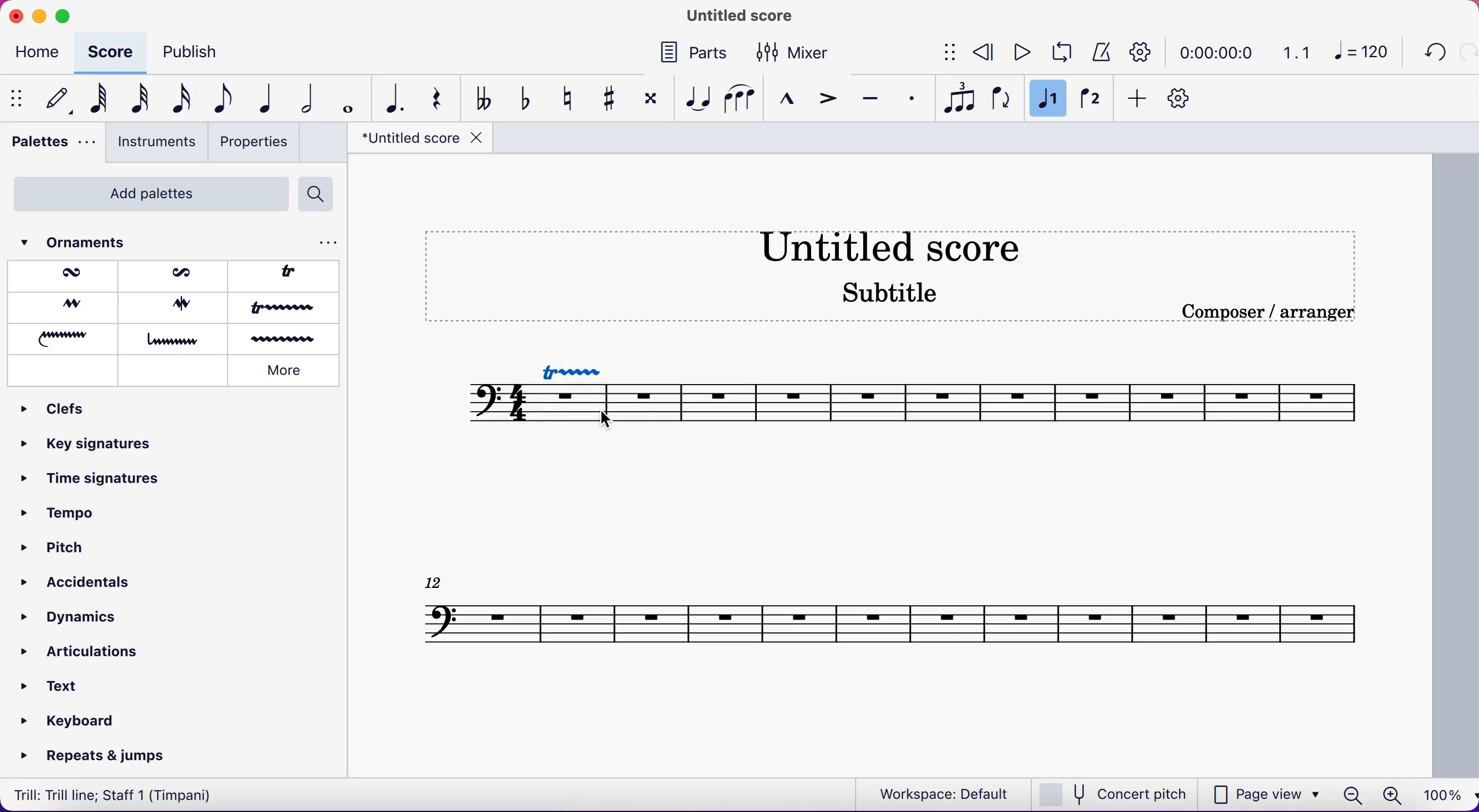 This screenshot has height=812, width=1479. What do you see at coordinates (323, 242) in the screenshot?
I see `more options` at bounding box center [323, 242].